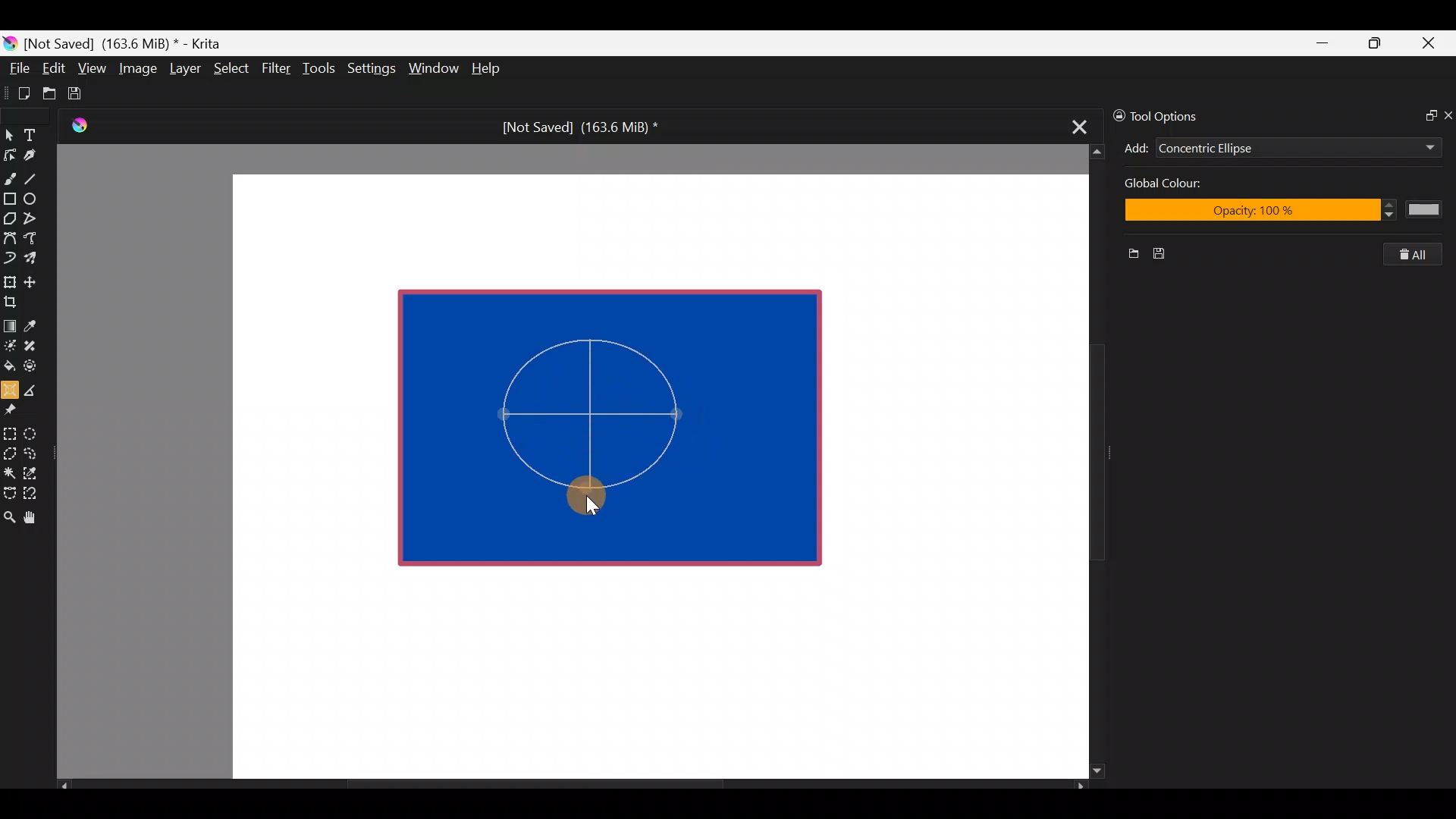 The width and height of the screenshot is (1456, 819). Describe the element at coordinates (35, 385) in the screenshot. I see `Measure the distance between two points` at that location.